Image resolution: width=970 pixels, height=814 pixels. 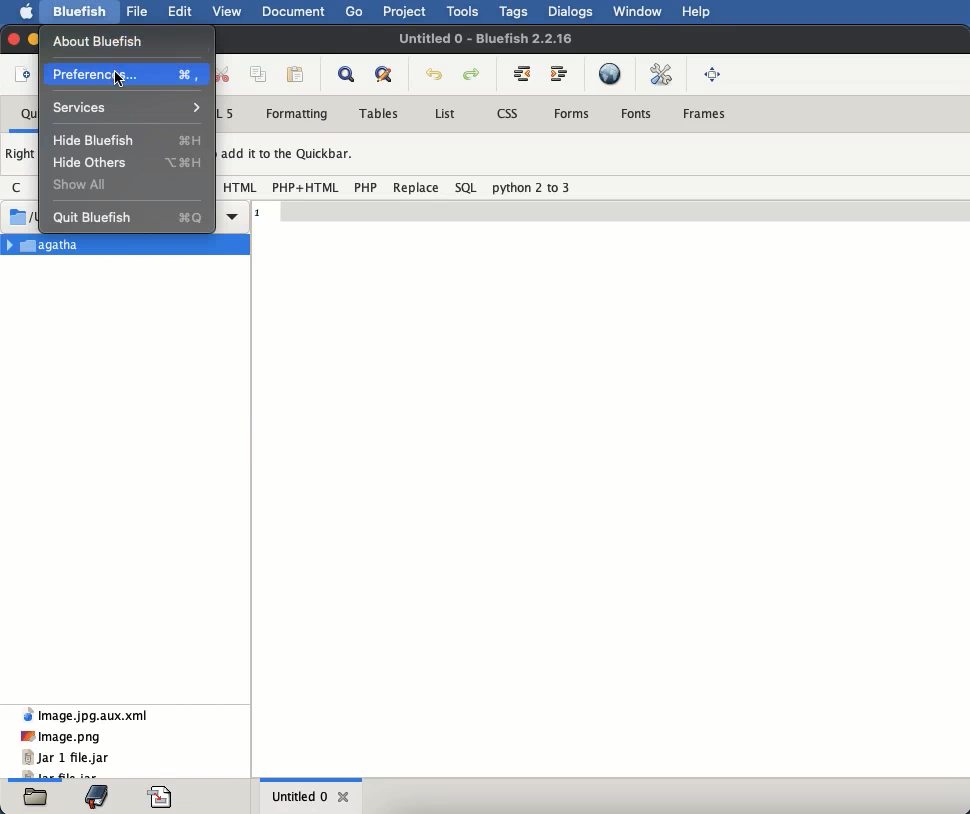 What do you see at coordinates (225, 73) in the screenshot?
I see `cut` at bounding box center [225, 73].